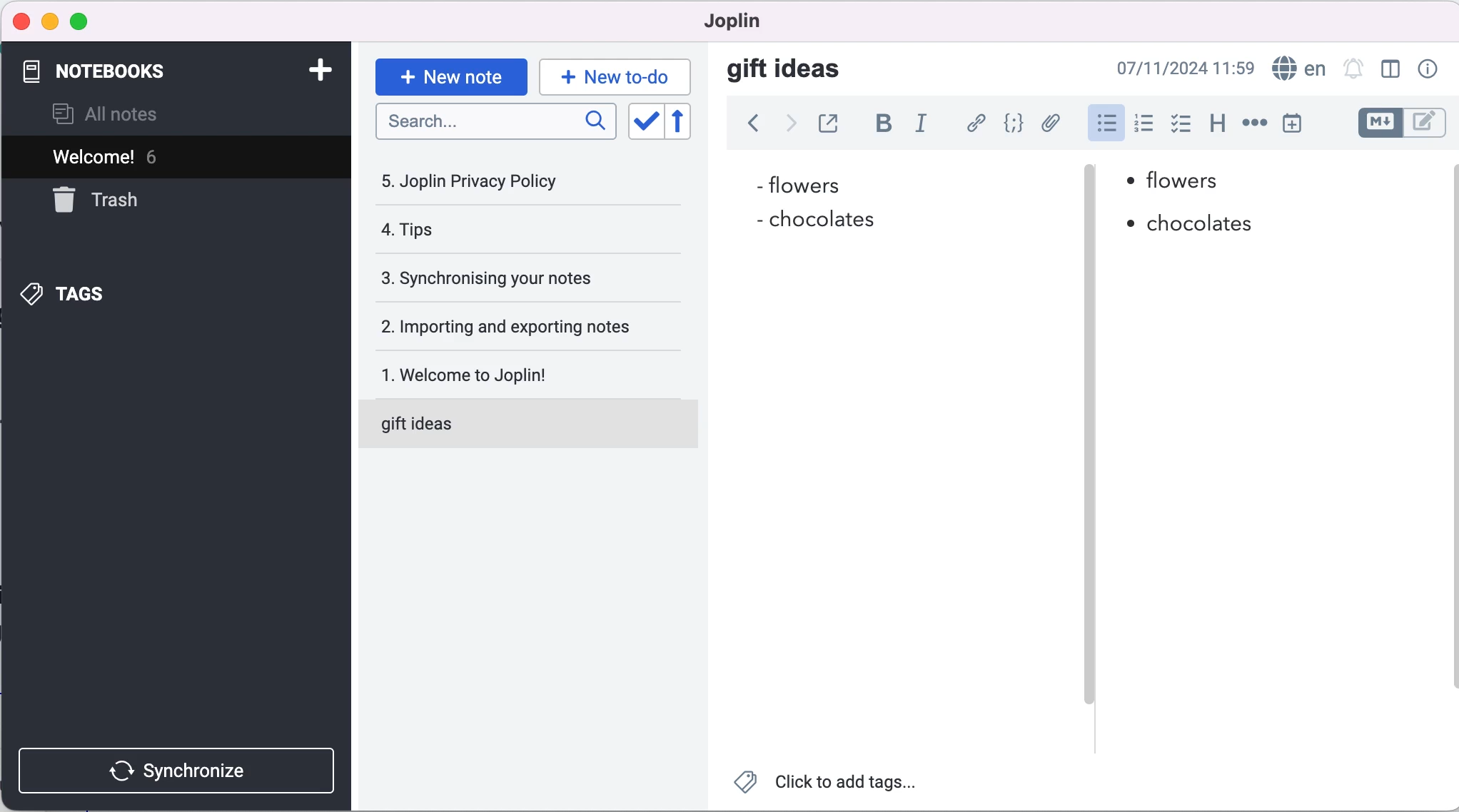 The height and width of the screenshot is (812, 1459). Describe the element at coordinates (642, 121) in the screenshot. I see `toggle sort order field` at that location.